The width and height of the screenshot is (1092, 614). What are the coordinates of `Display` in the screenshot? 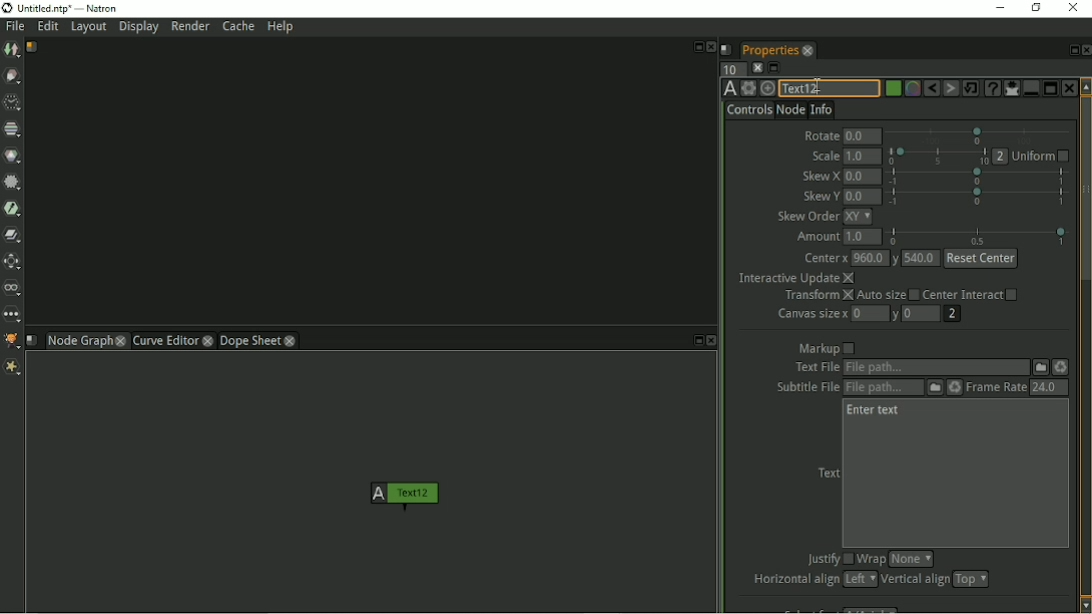 It's located at (140, 28).